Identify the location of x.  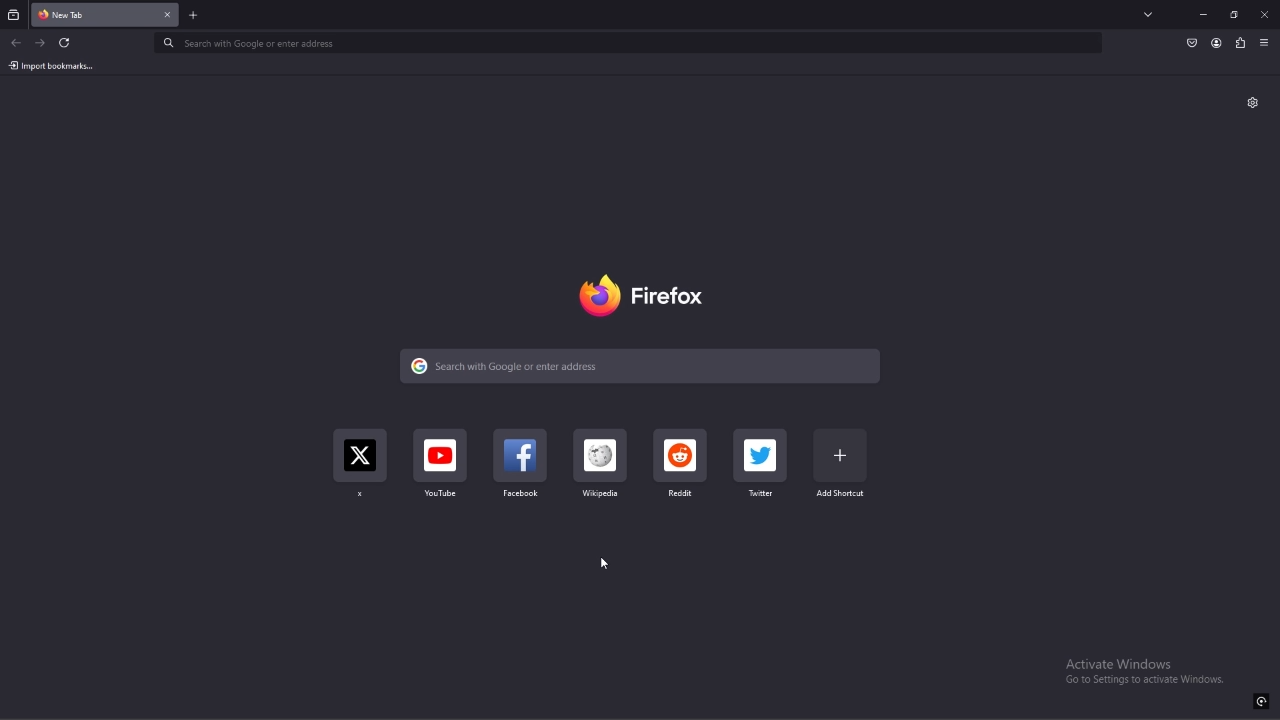
(361, 467).